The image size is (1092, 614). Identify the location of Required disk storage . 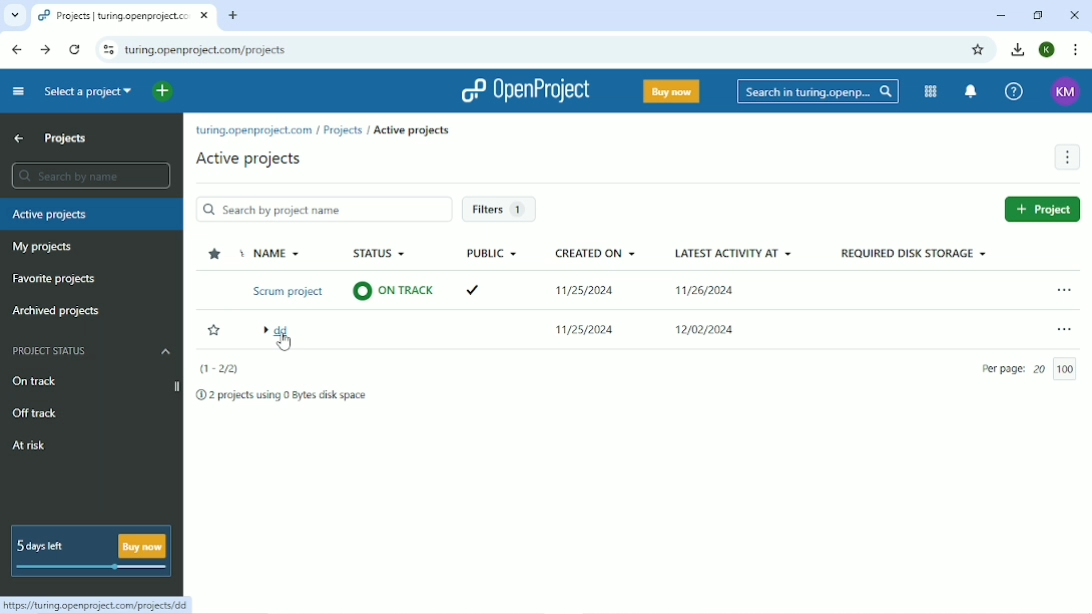
(913, 252).